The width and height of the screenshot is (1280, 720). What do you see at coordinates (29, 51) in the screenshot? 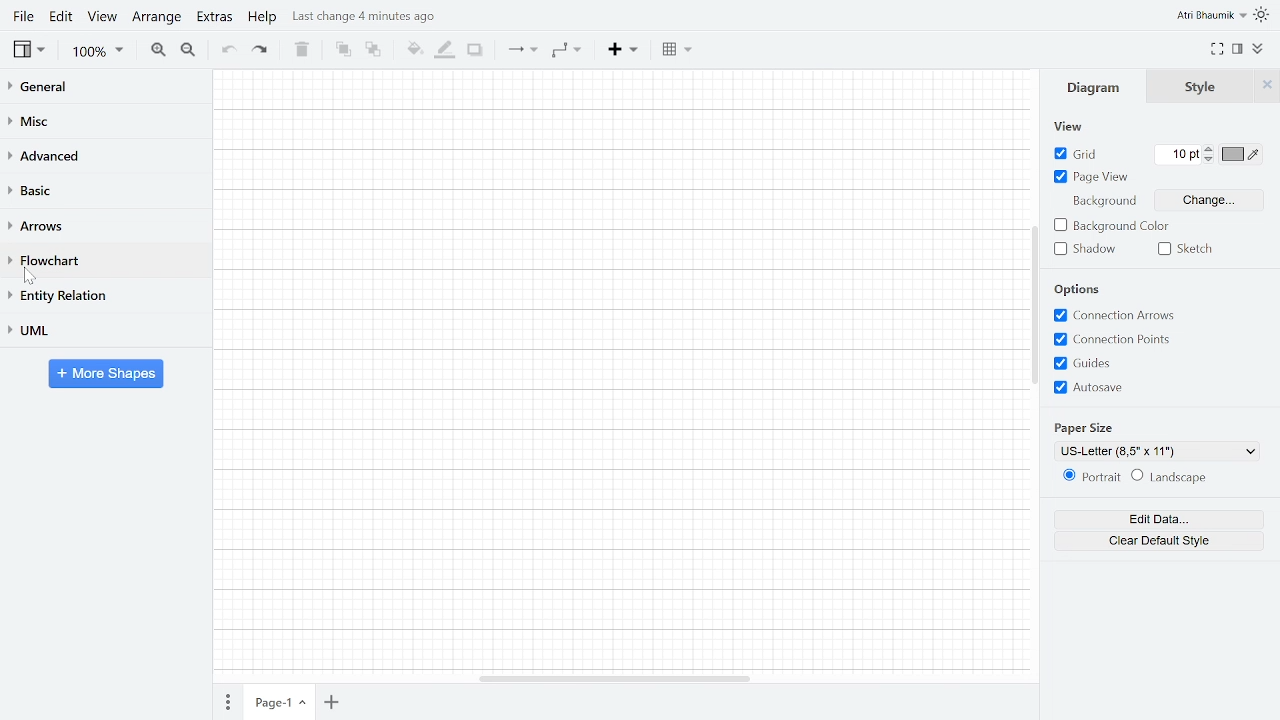
I see `View` at bounding box center [29, 51].